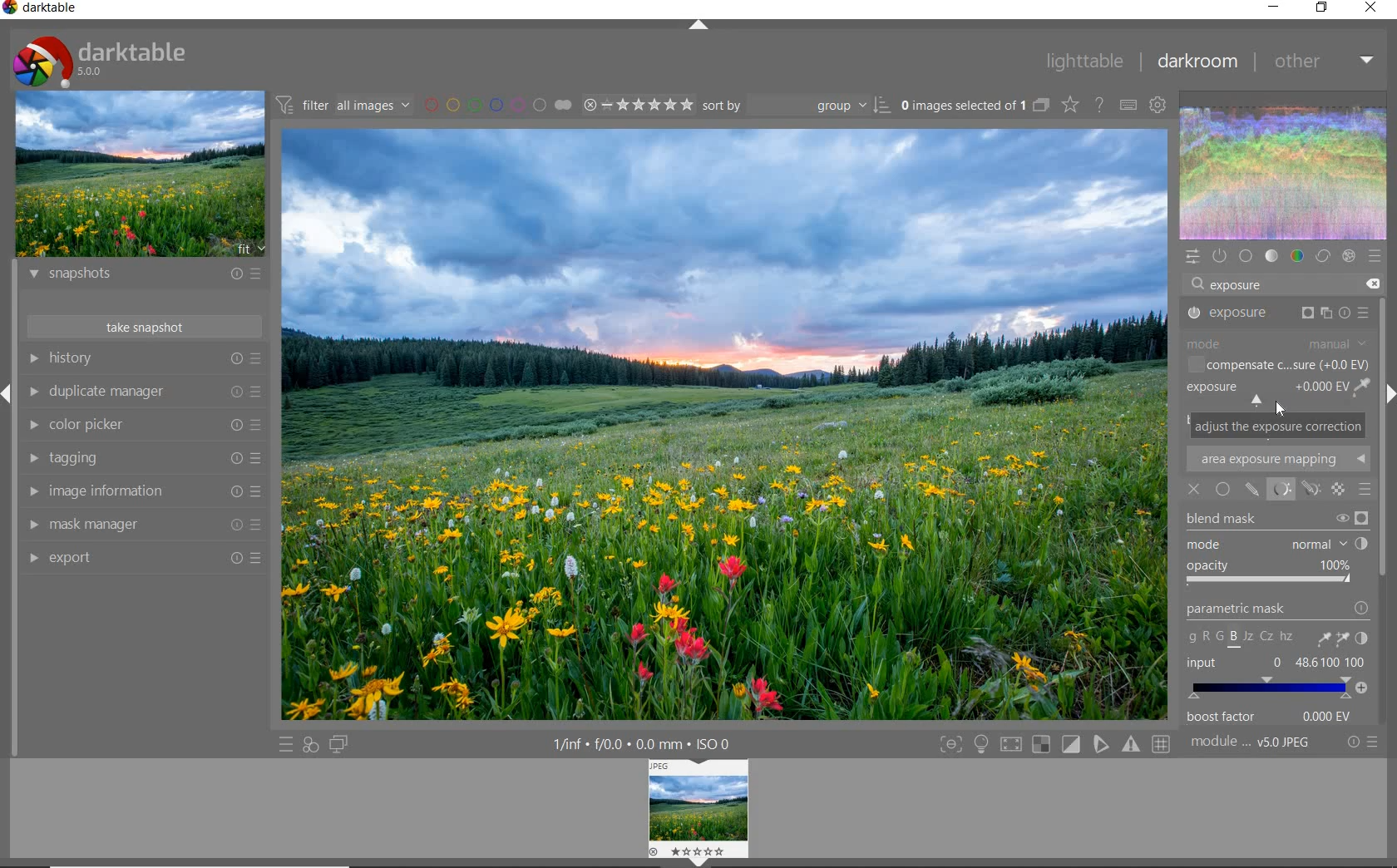  Describe the element at coordinates (1129, 106) in the screenshot. I see `set keyboard shortcuts` at that location.